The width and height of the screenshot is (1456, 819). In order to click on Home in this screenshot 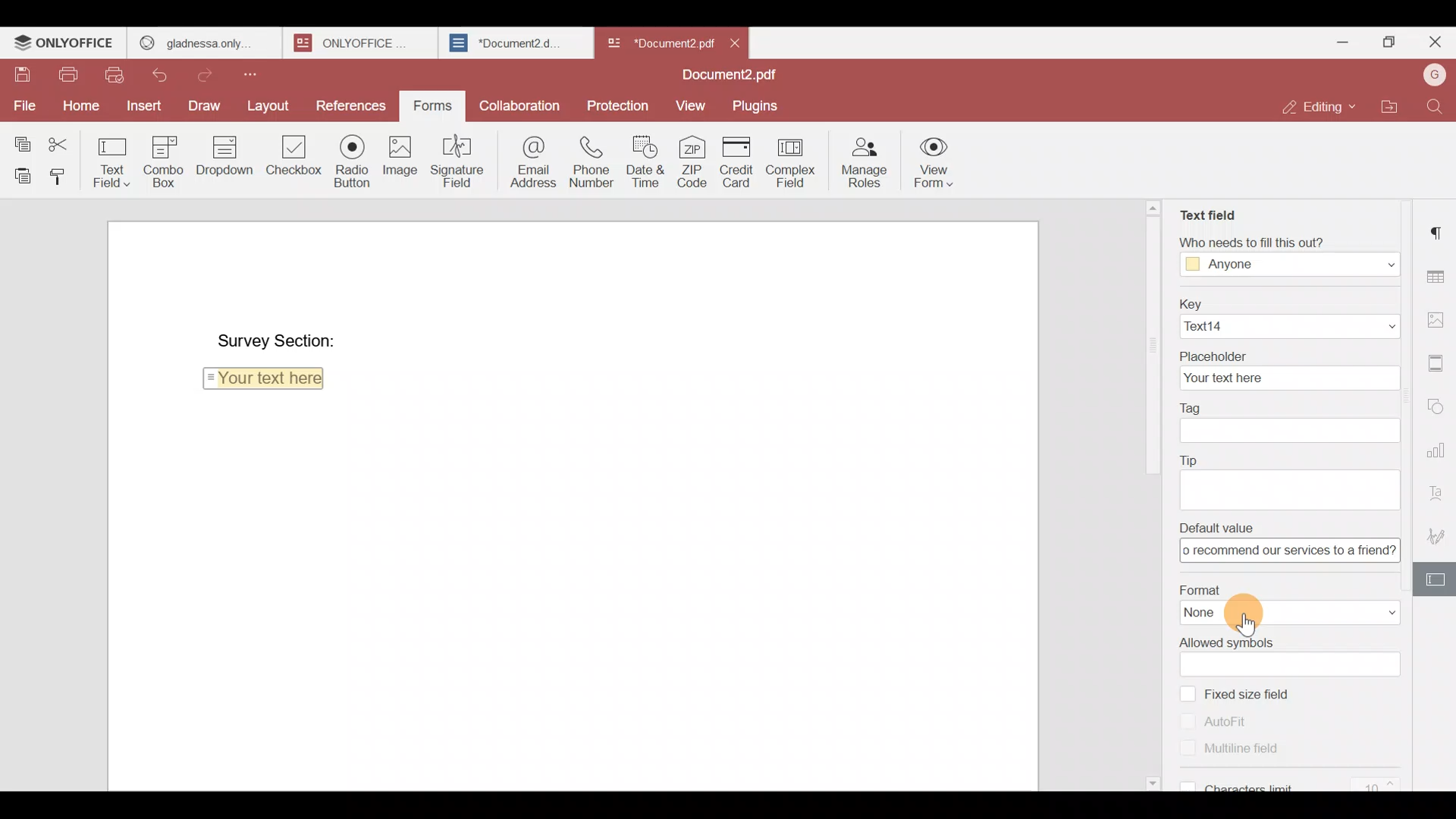, I will do `click(79, 104)`.